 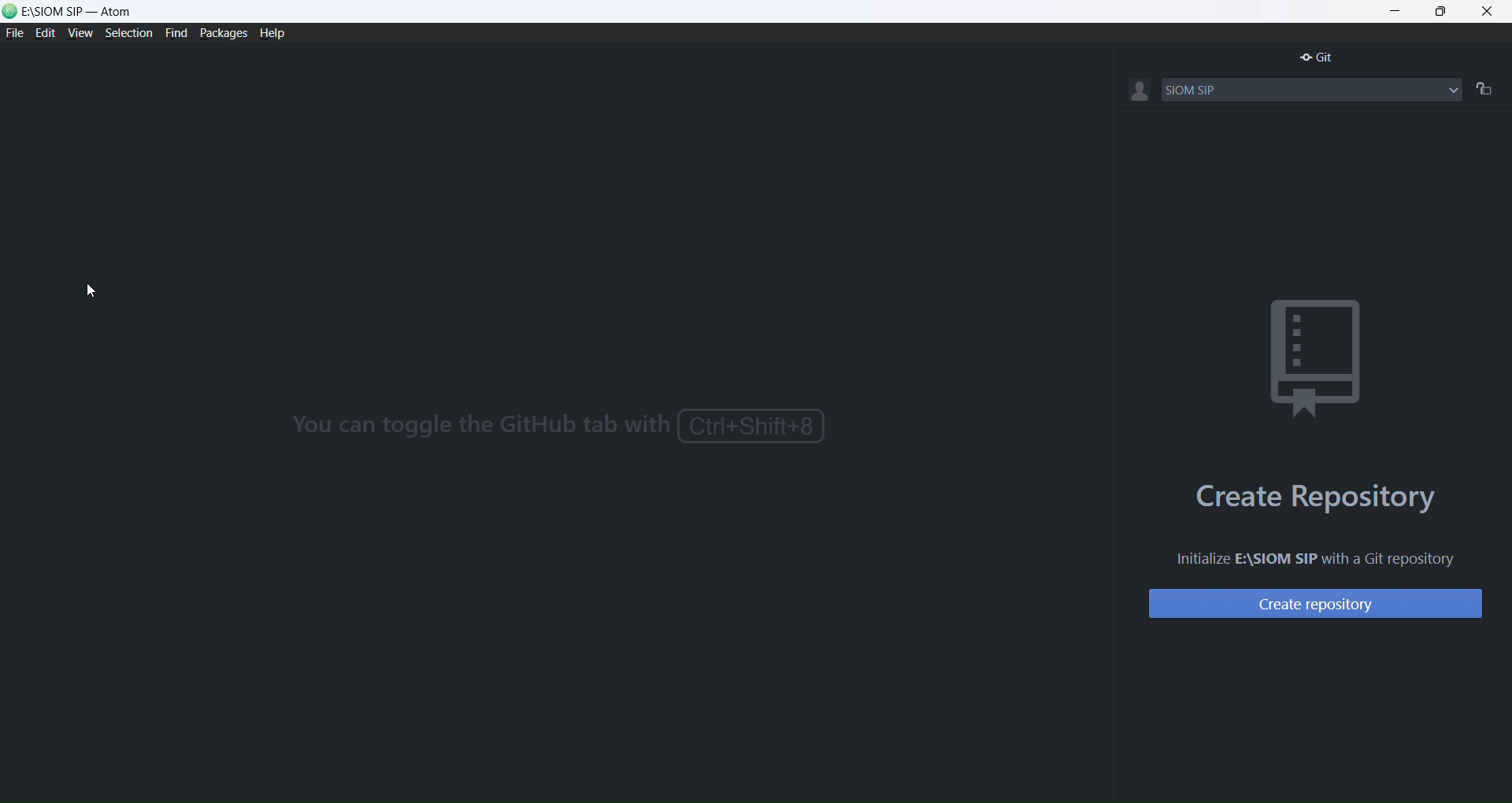 What do you see at coordinates (176, 33) in the screenshot?
I see `find` at bounding box center [176, 33].